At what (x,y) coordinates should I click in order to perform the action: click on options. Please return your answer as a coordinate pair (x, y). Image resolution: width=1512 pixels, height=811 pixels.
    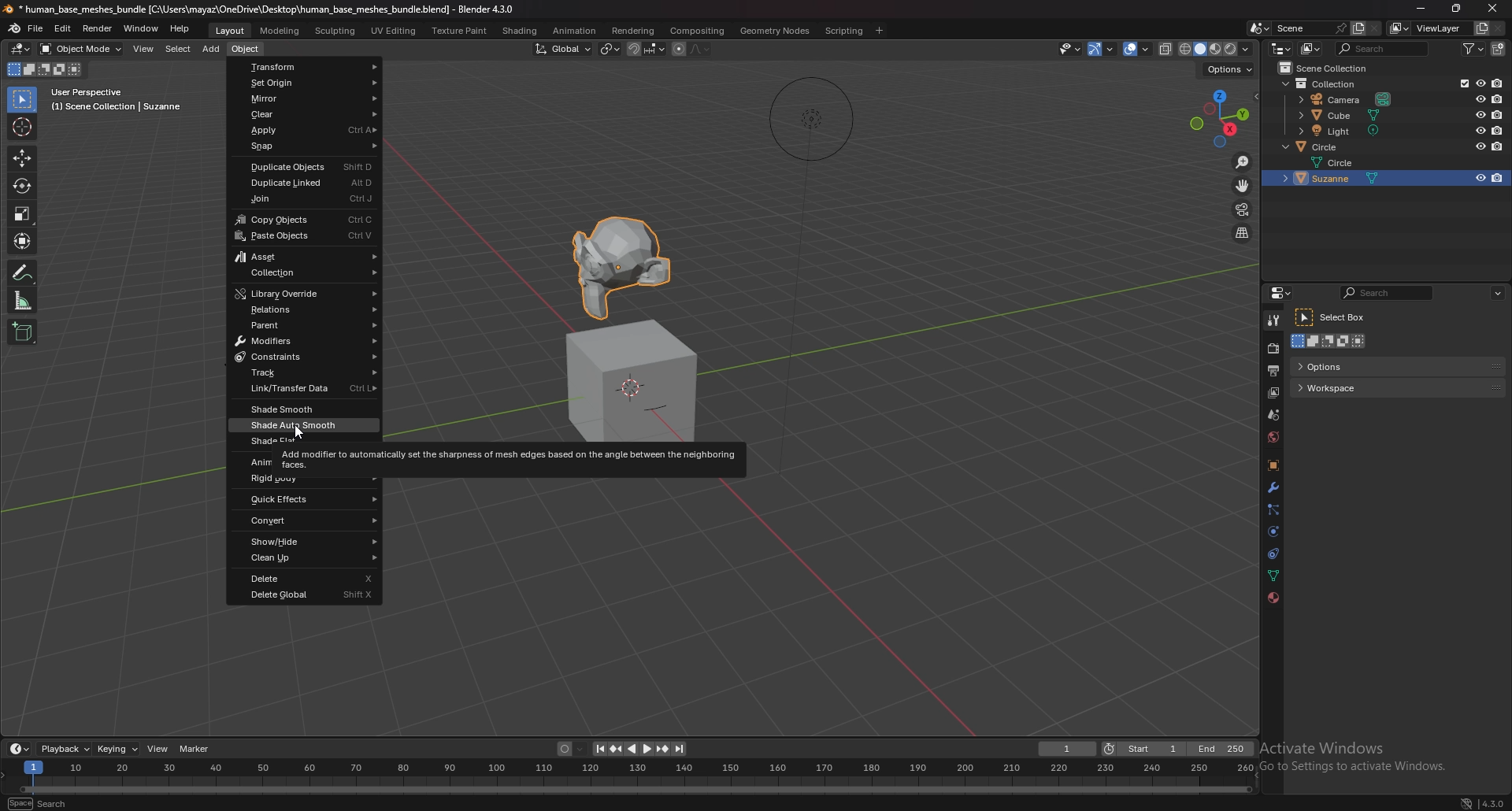
    Looking at the image, I should click on (1230, 69).